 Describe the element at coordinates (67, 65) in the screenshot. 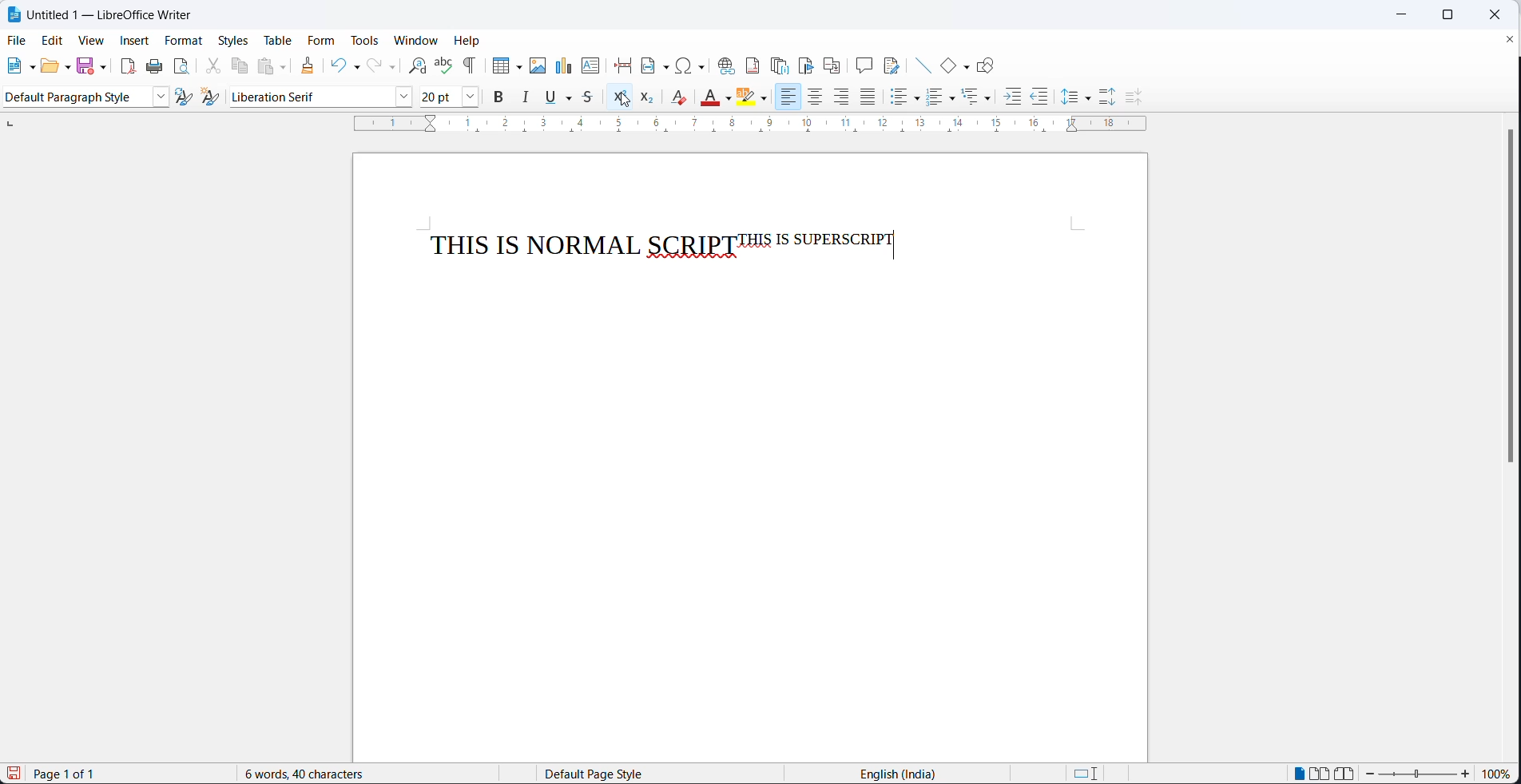

I see `open options` at that location.